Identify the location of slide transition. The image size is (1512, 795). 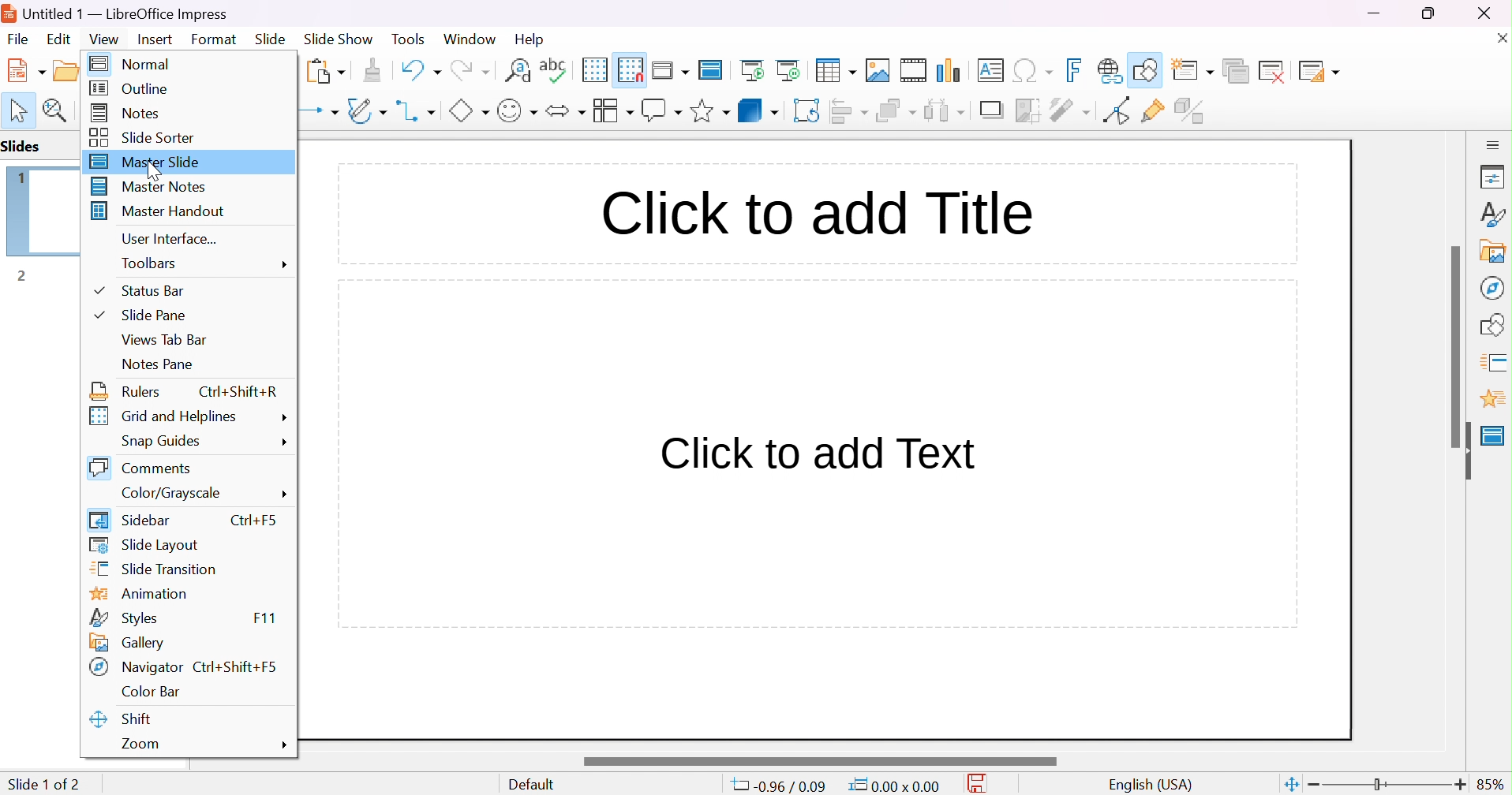
(1496, 360).